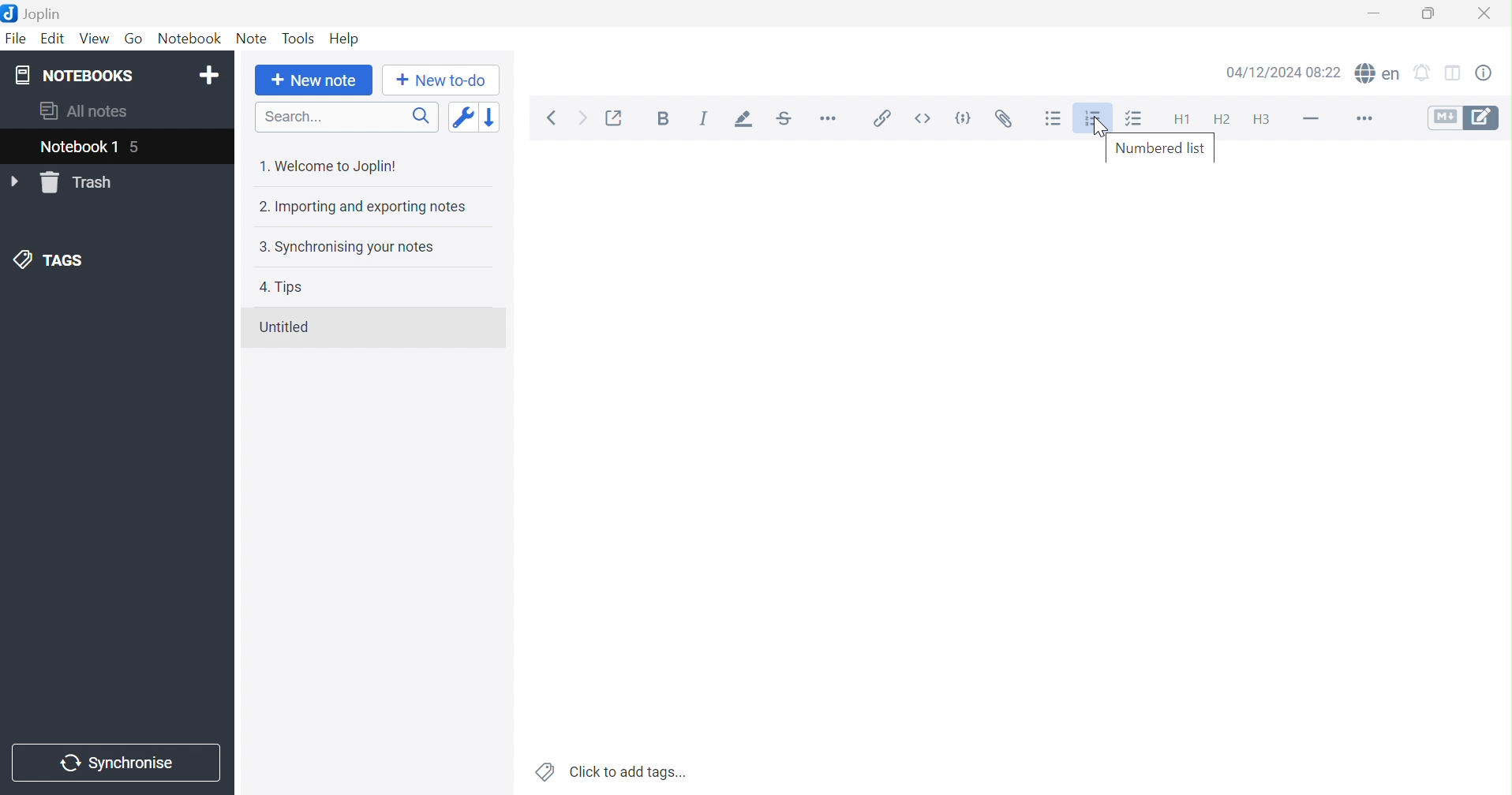 Image resolution: width=1512 pixels, height=795 pixels. Describe the element at coordinates (51, 261) in the screenshot. I see `TAGS` at that location.